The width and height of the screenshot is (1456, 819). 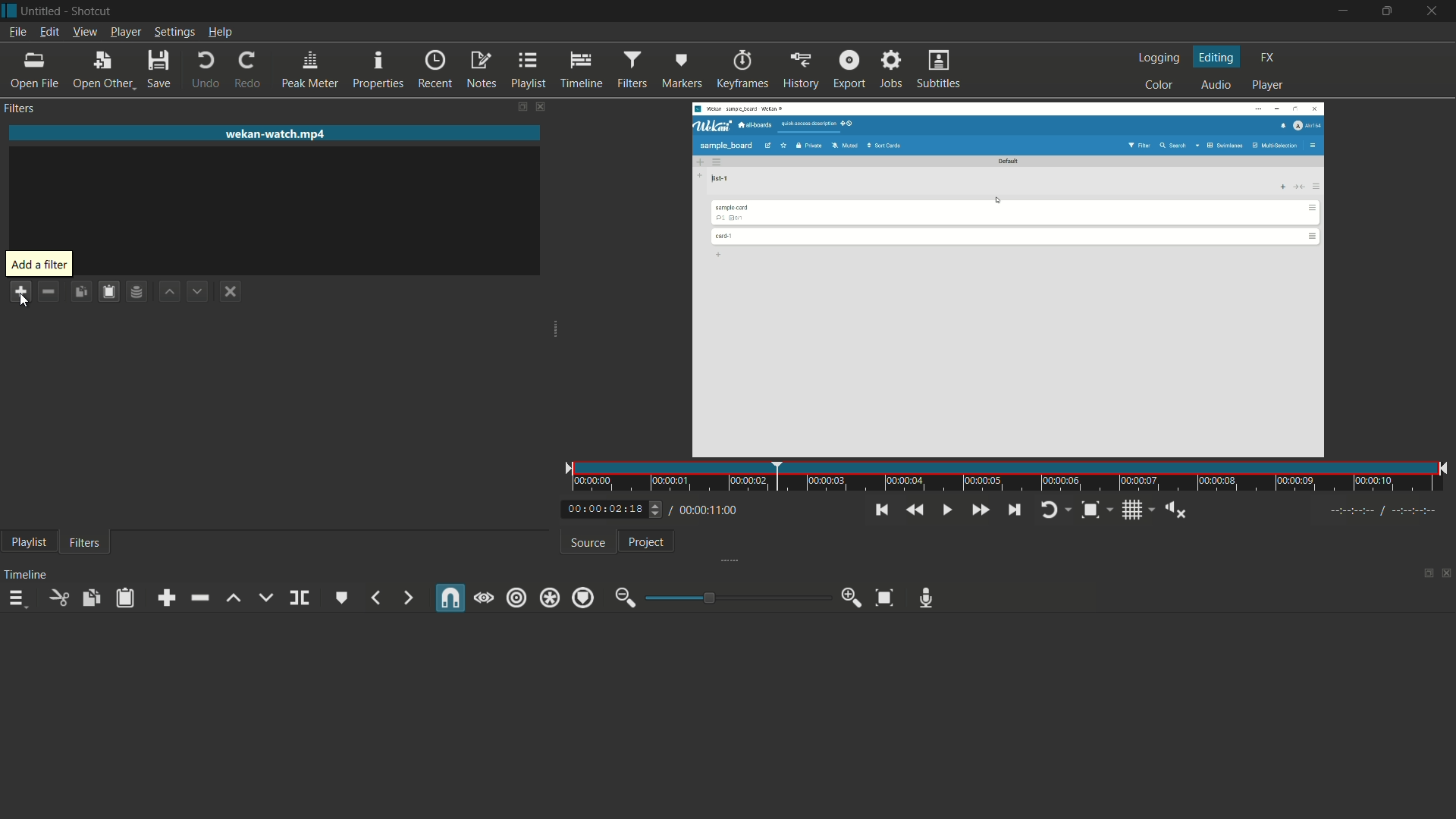 What do you see at coordinates (541, 108) in the screenshot?
I see `close filter` at bounding box center [541, 108].